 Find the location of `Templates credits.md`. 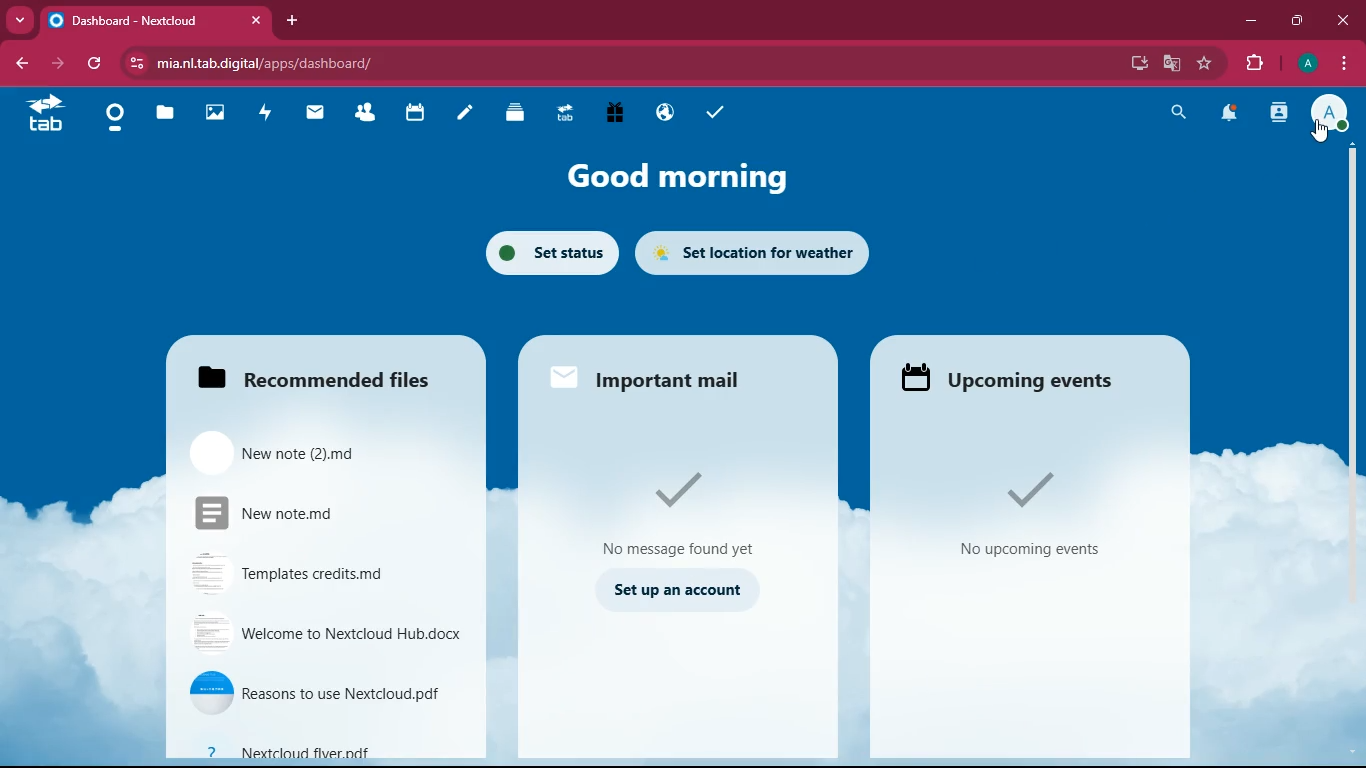

Templates credits.md is located at coordinates (318, 576).